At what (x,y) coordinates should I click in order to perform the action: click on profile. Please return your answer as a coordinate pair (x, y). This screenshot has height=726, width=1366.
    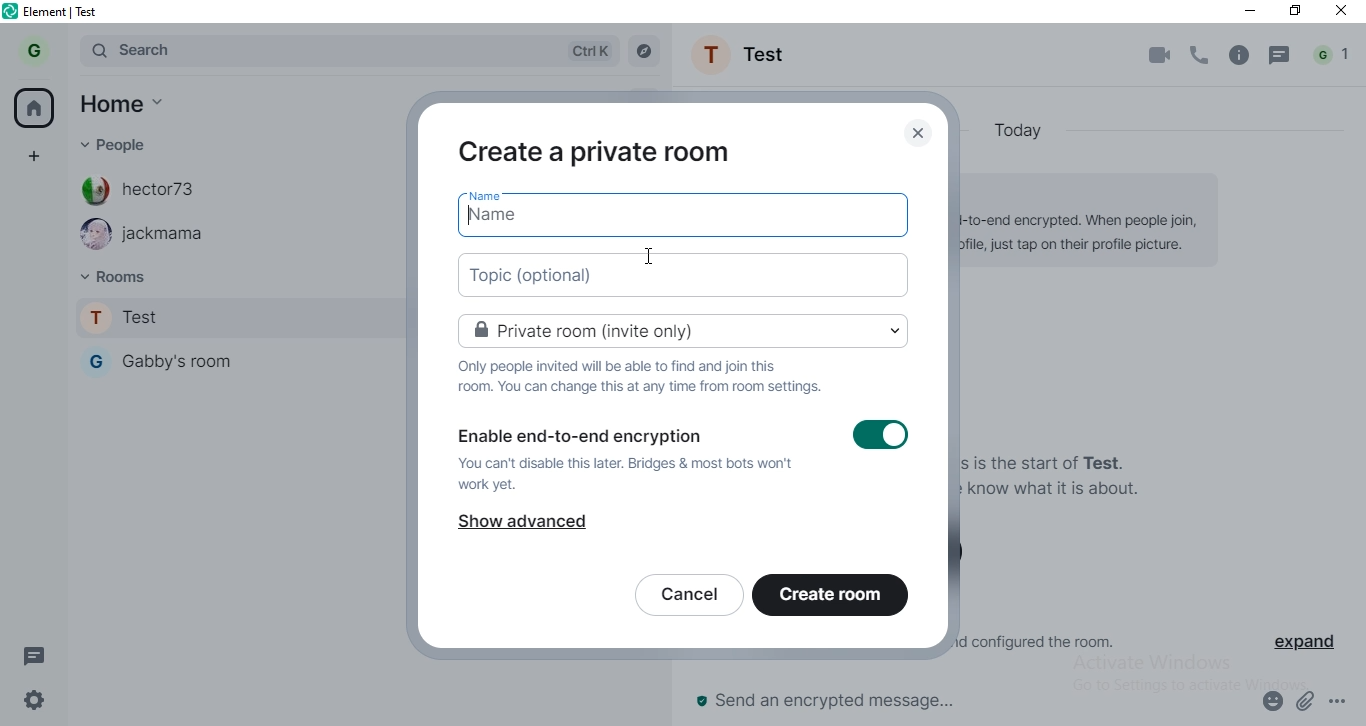
    Looking at the image, I should click on (34, 50).